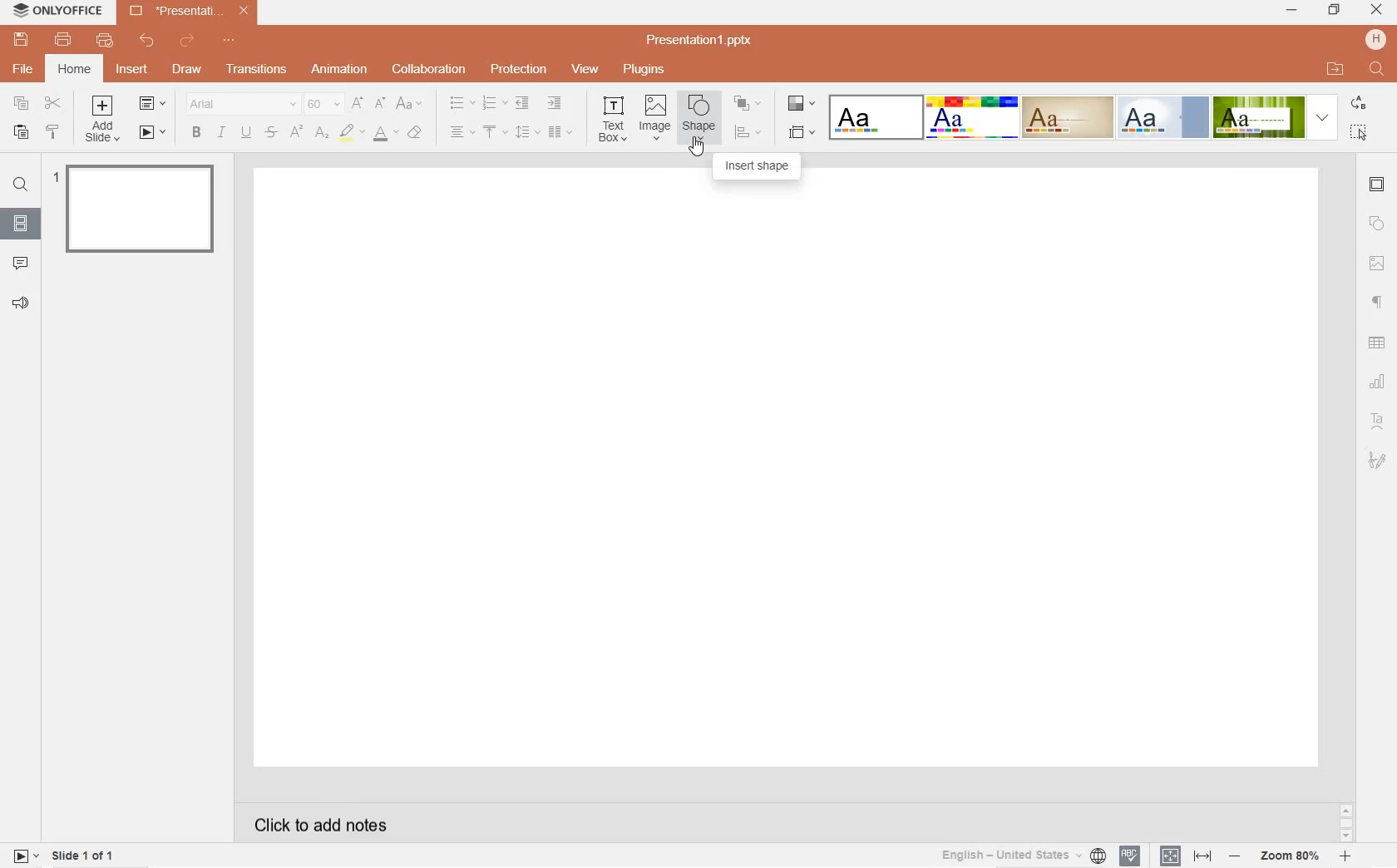 Image resolution: width=1397 pixels, height=868 pixels. Describe the element at coordinates (386, 136) in the screenshot. I see `font color` at that location.